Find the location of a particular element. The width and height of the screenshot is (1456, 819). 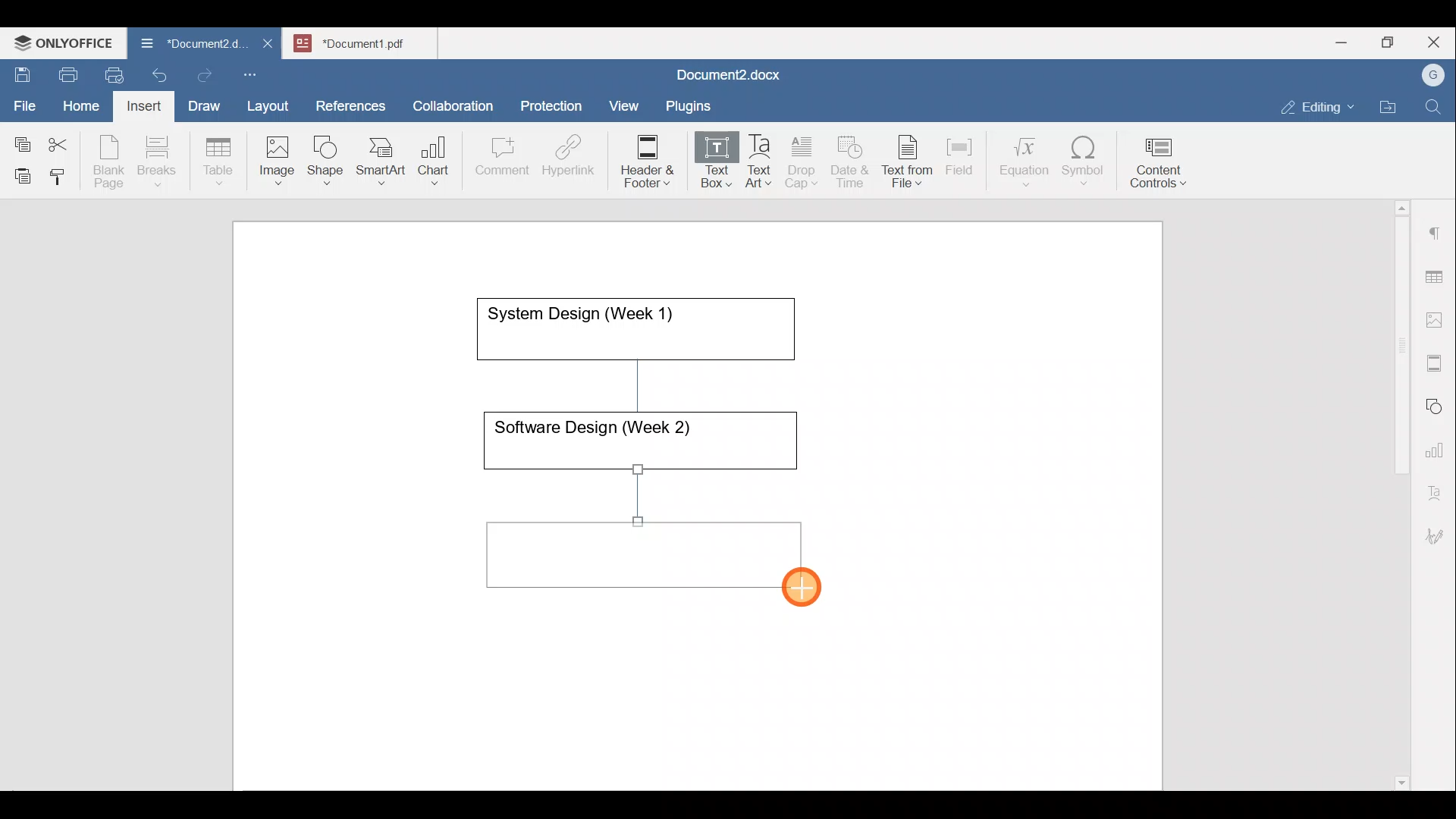

View is located at coordinates (625, 101).